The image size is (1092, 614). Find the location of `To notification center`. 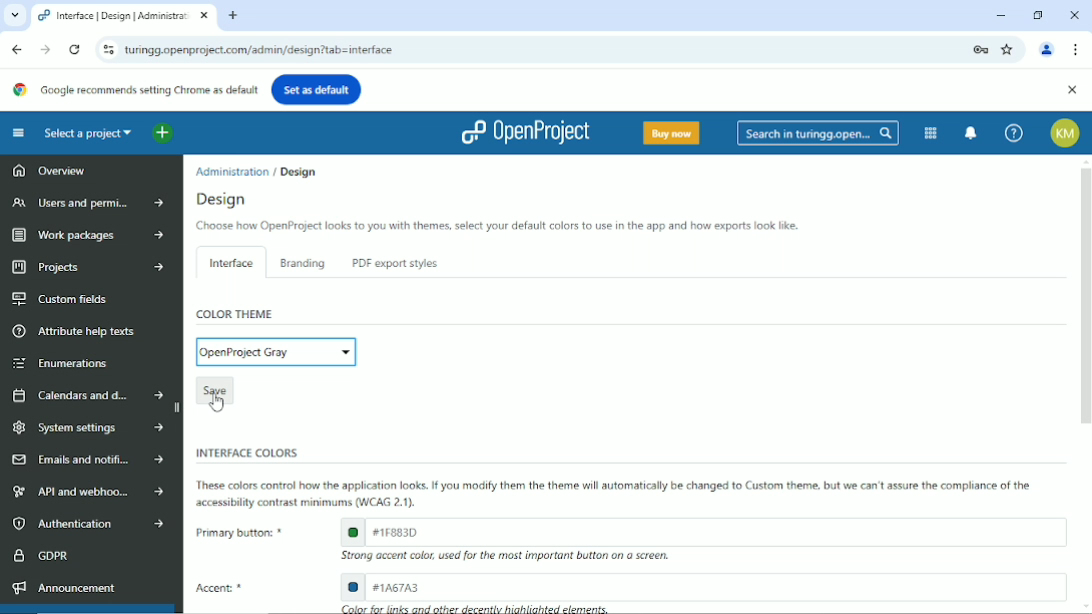

To notification center is located at coordinates (972, 132).